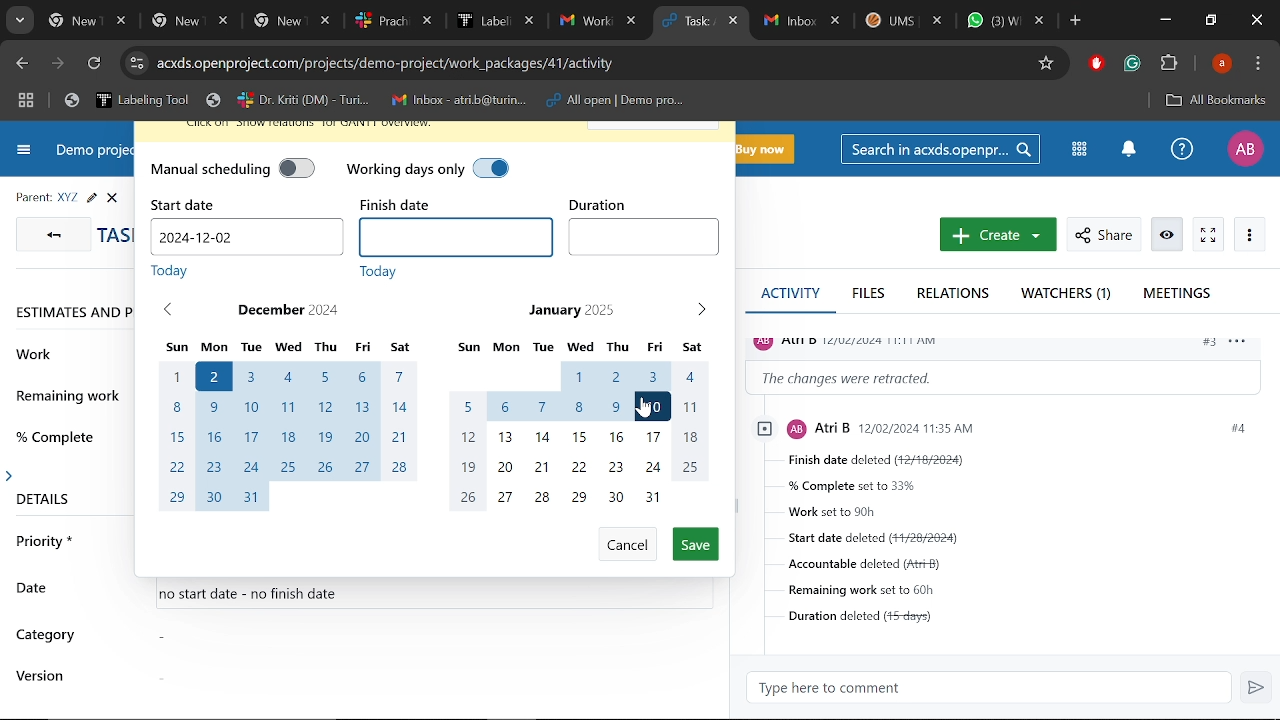  I want to click on Notifications, so click(1128, 150).